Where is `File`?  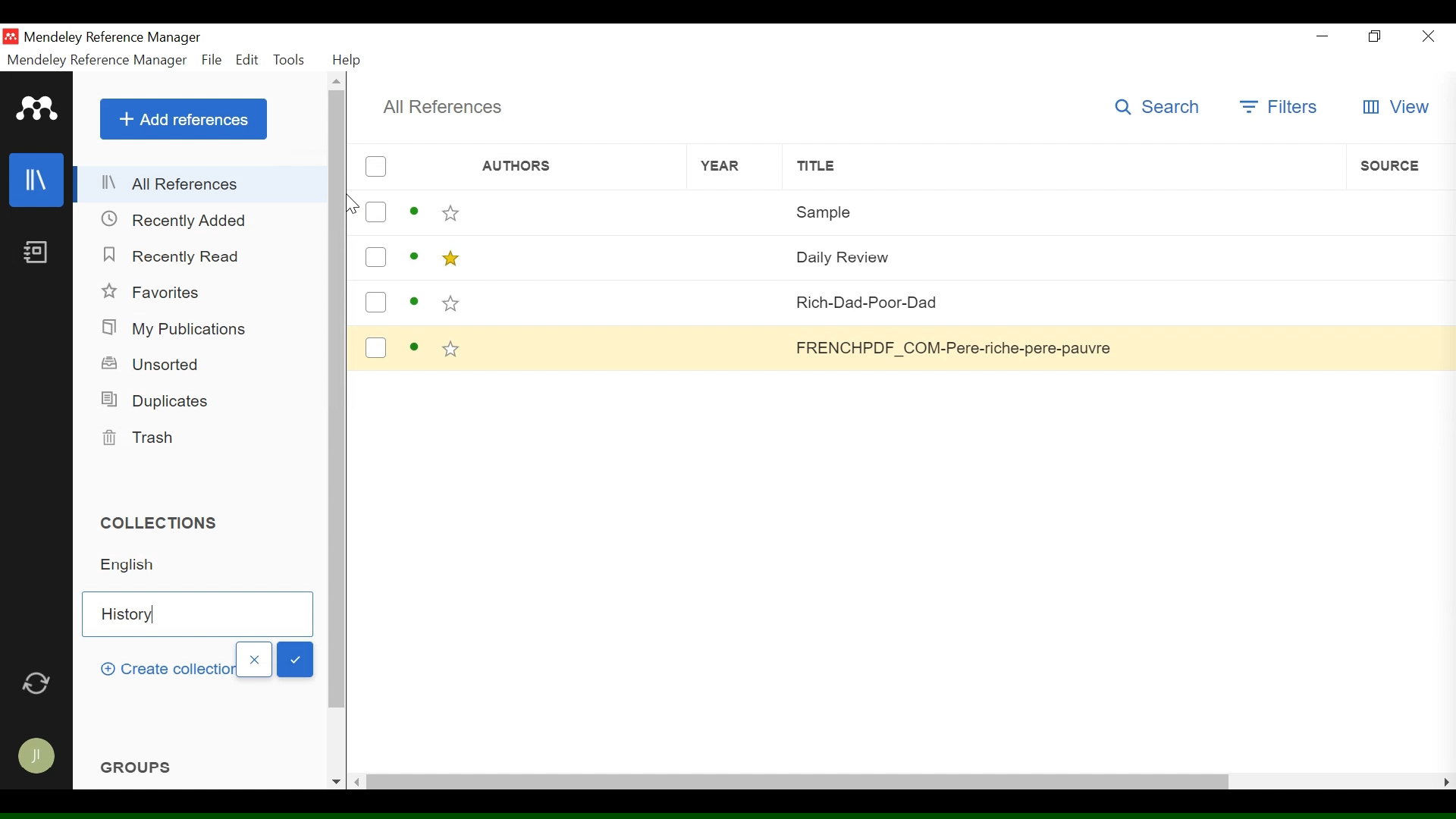
File is located at coordinates (212, 61).